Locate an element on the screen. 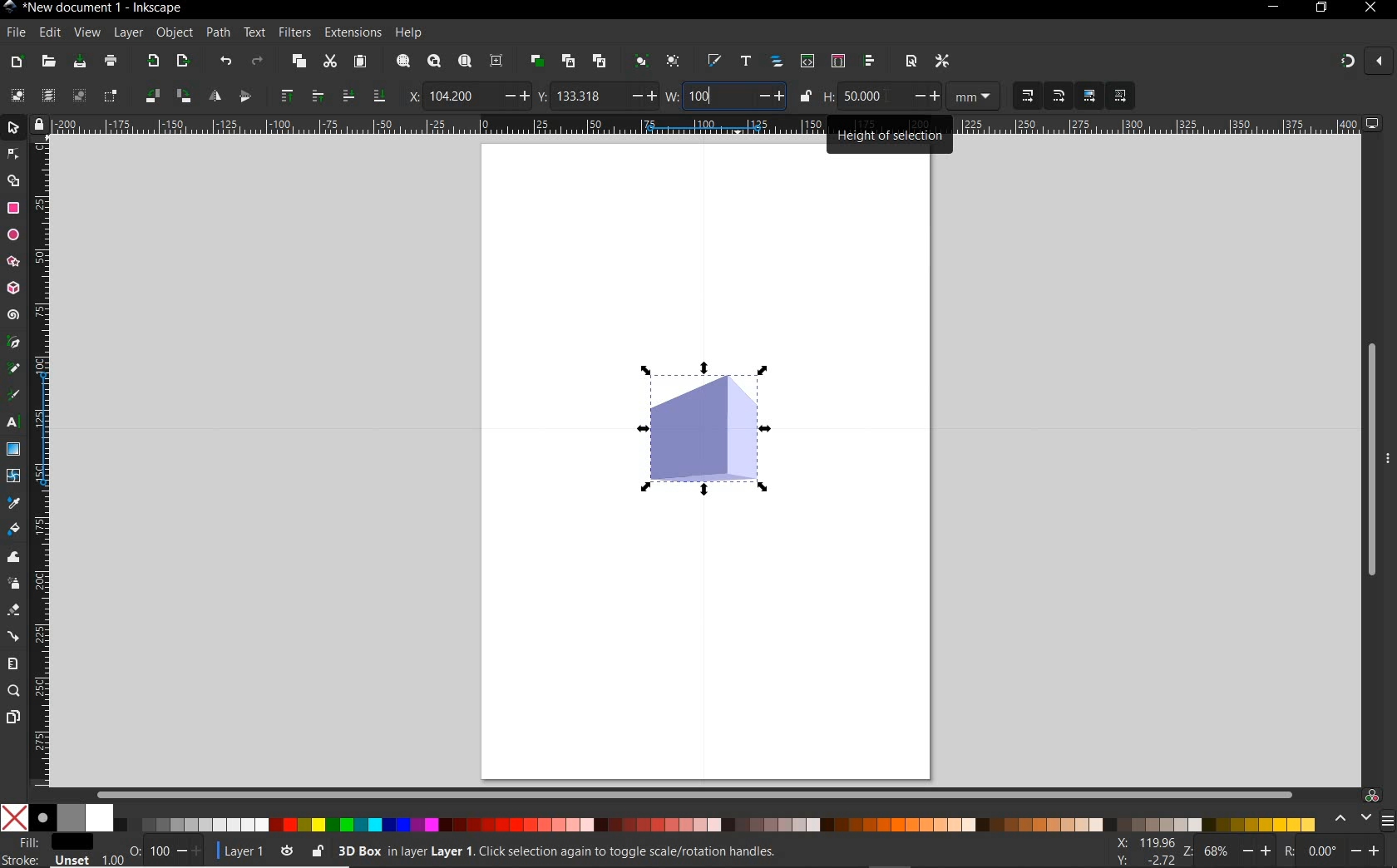 The height and width of the screenshot is (868, 1397). spiral tool is located at coordinates (12, 314).